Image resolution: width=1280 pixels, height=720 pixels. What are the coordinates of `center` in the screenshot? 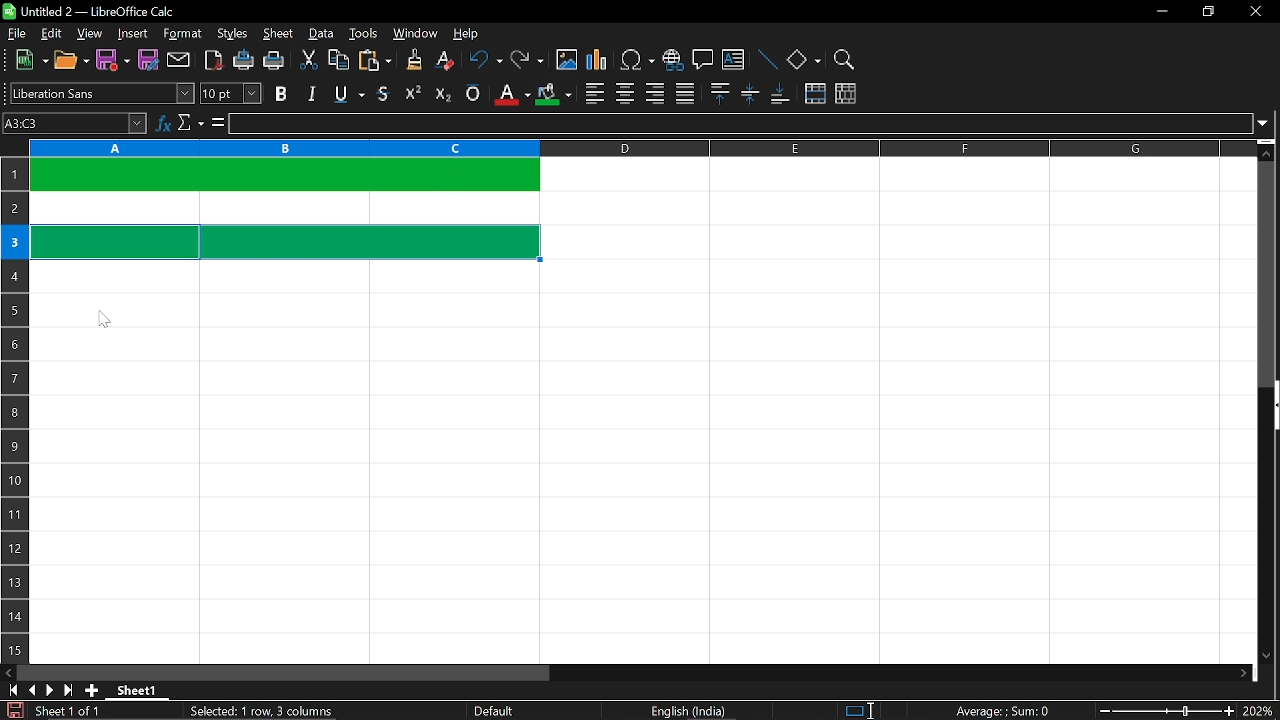 It's located at (625, 93).